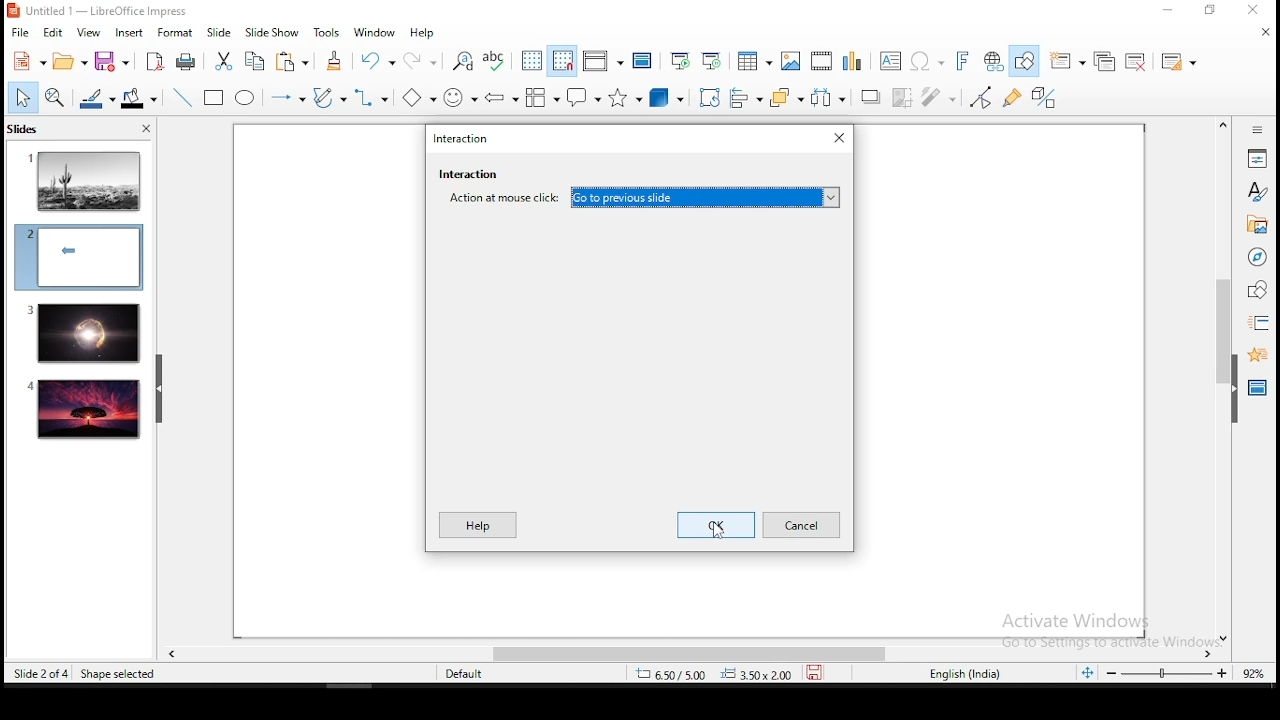 The image size is (1280, 720). Describe the element at coordinates (275, 33) in the screenshot. I see `slide show` at that location.